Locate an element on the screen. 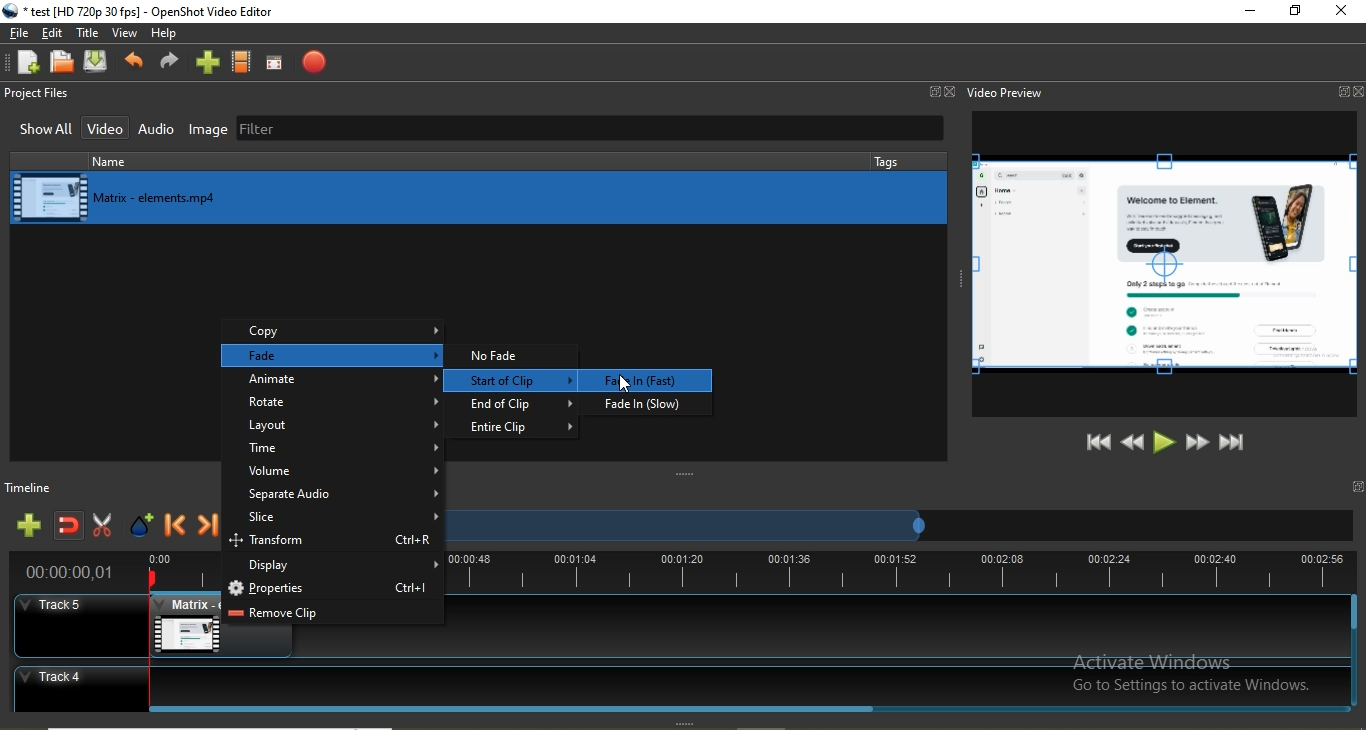 The height and width of the screenshot is (730, 1366). Close is located at coordinates (952, 91).